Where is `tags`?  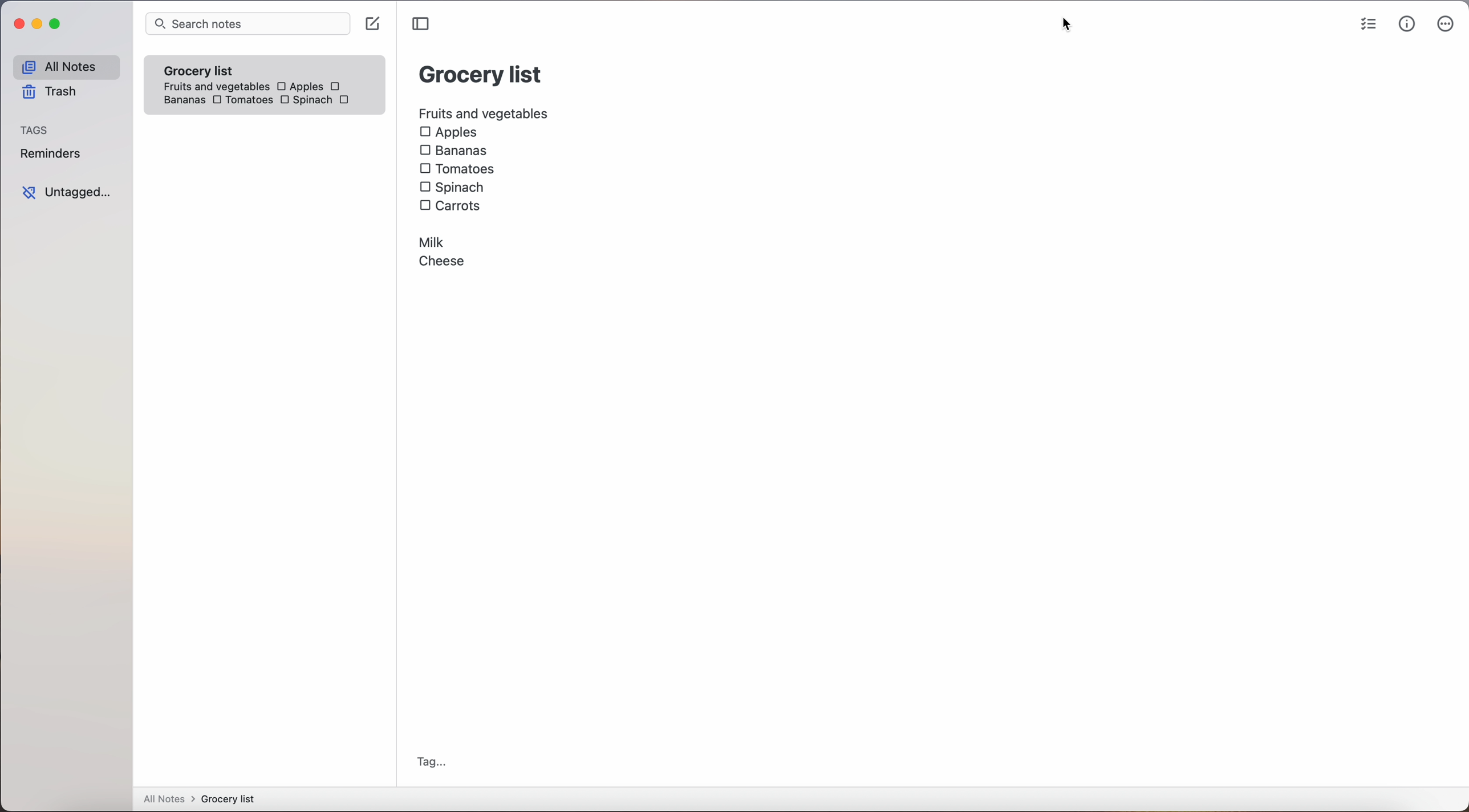
tags is located at coordinates (38, 129).